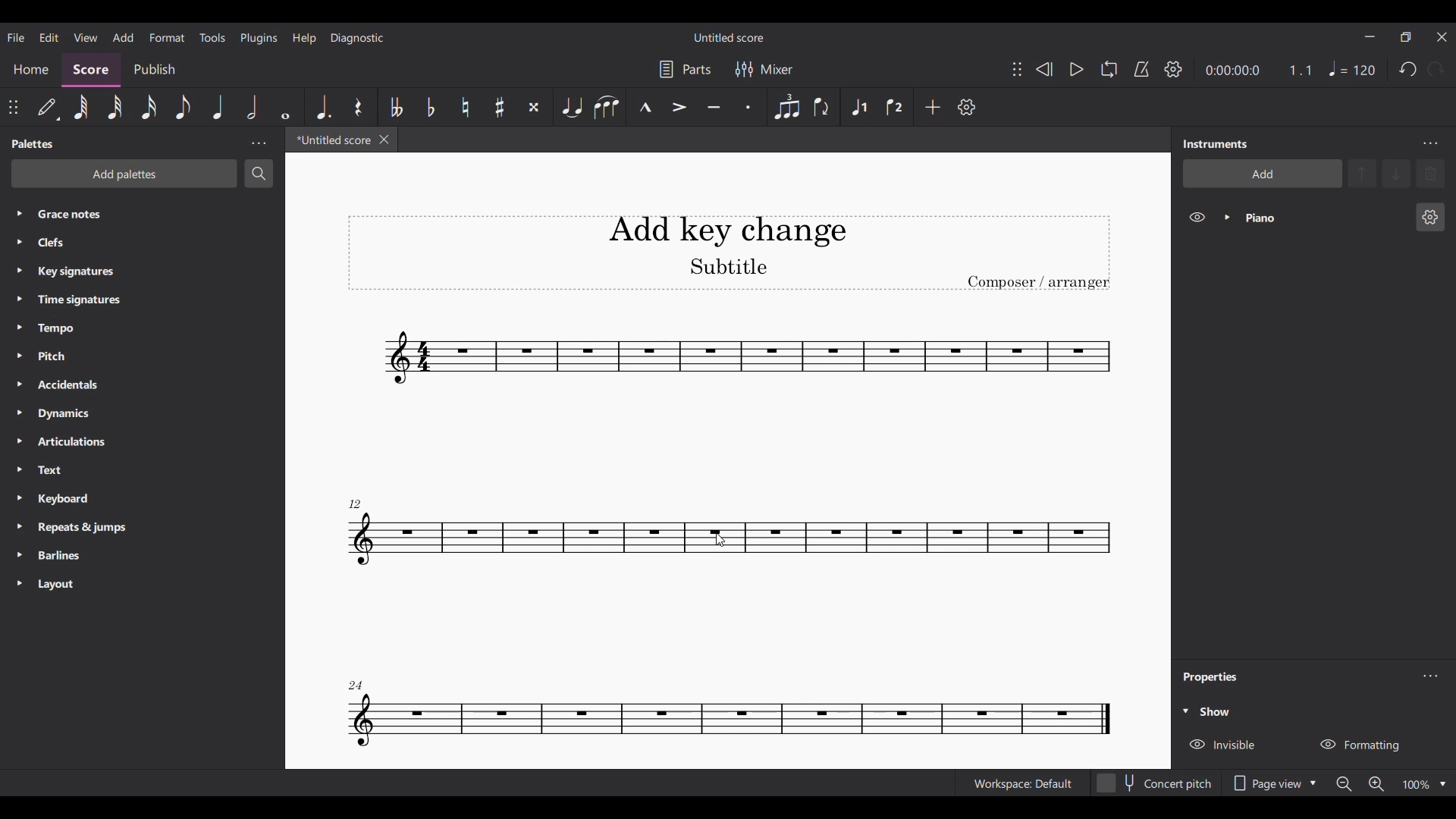 The image size is (1456, 819). Describe the element at coordinates (124, 37) in the screenshot. I see `Add menu` at that location.